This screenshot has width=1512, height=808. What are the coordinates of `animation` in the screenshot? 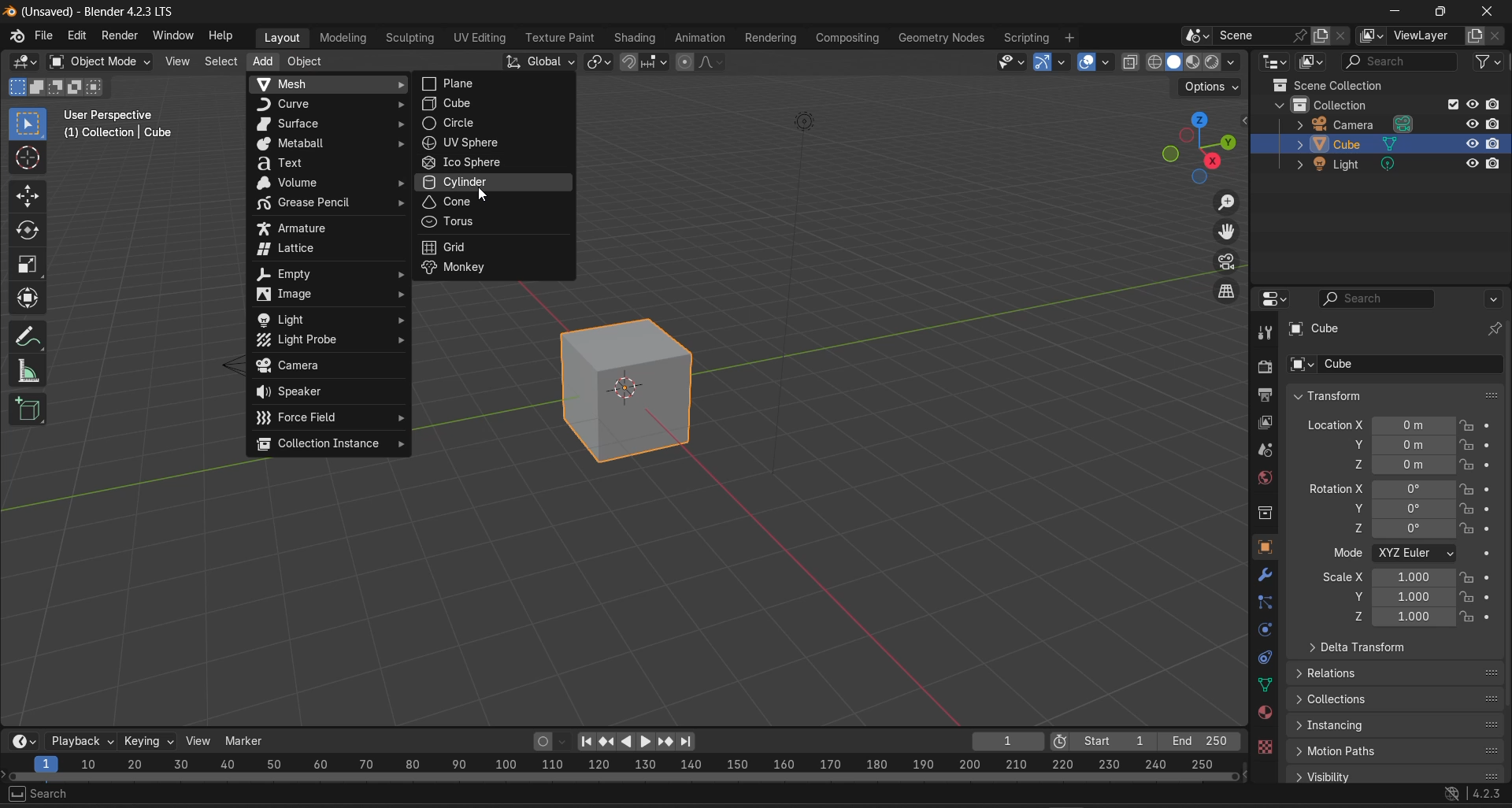 It's located at (701, 36).